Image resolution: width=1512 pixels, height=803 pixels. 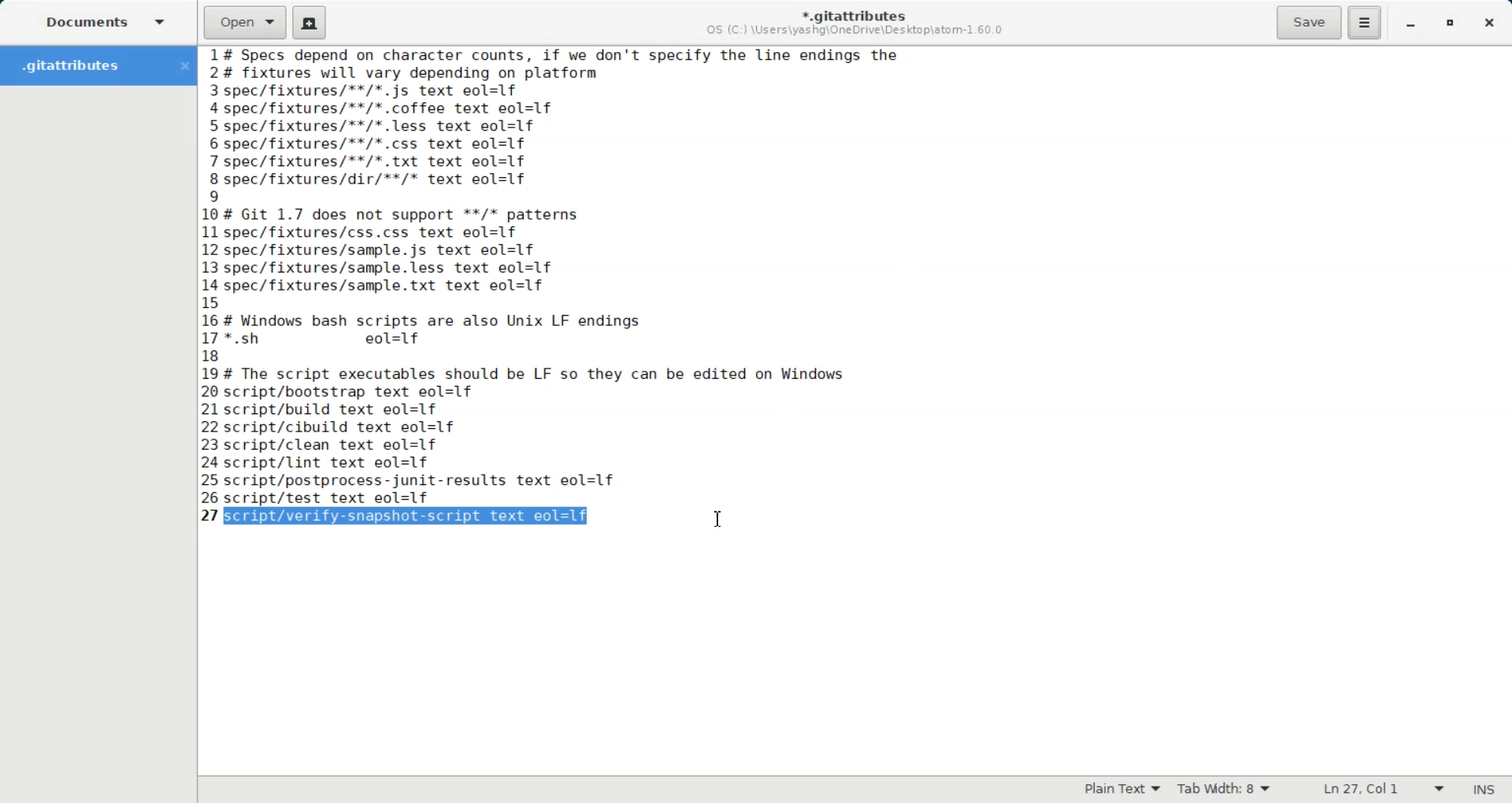 I want to click on Close Folder, so click(x=183, y=66).